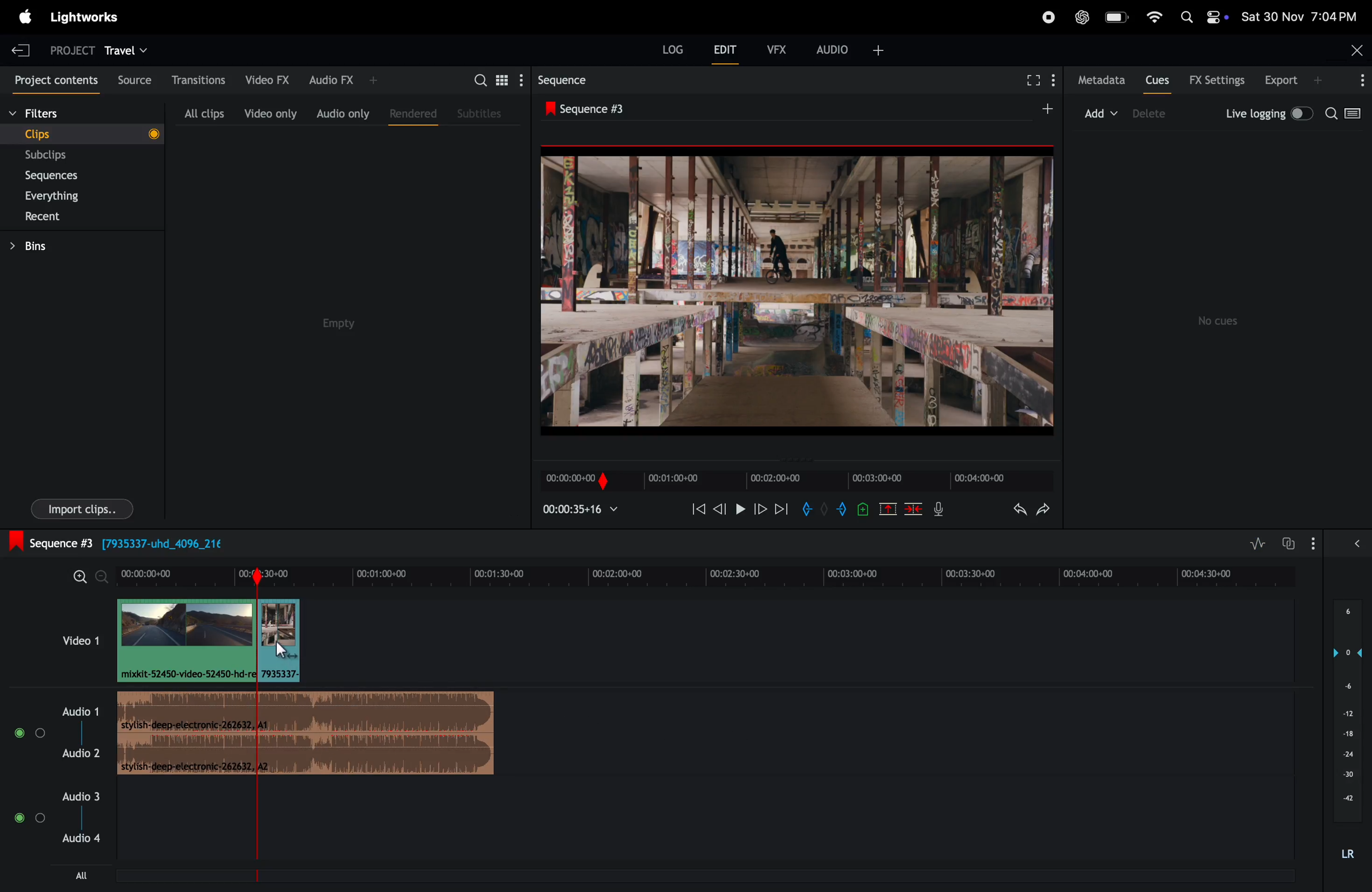  Describe the element at coordinates (26, 16) in the screenshot. I see `apple menu` at that location.